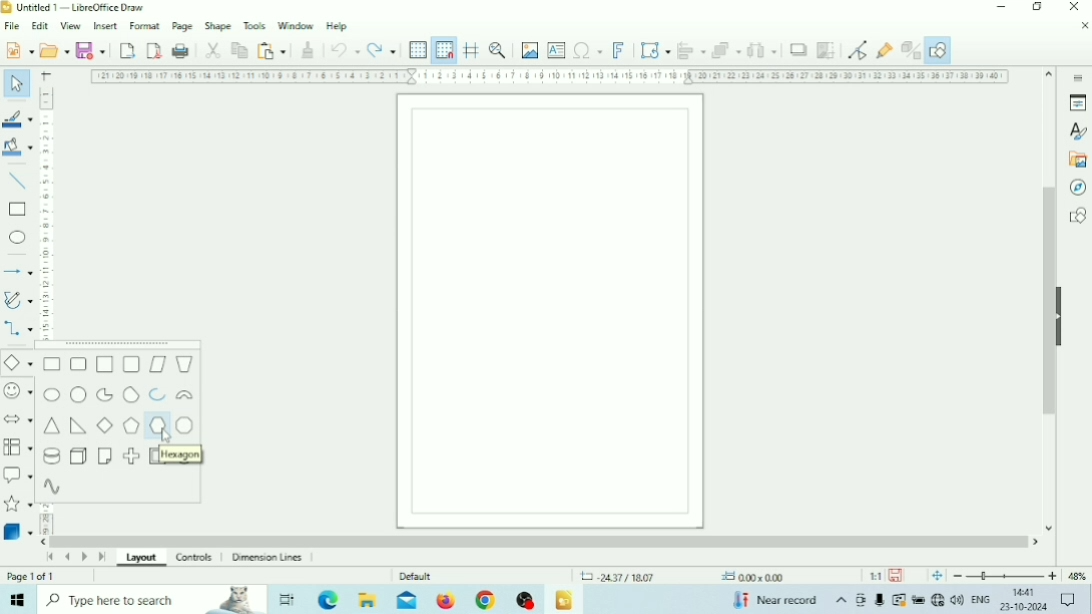 The width and height of the screenshot is (1092, 614). I want to click on Align Objects, so click(691, 50).